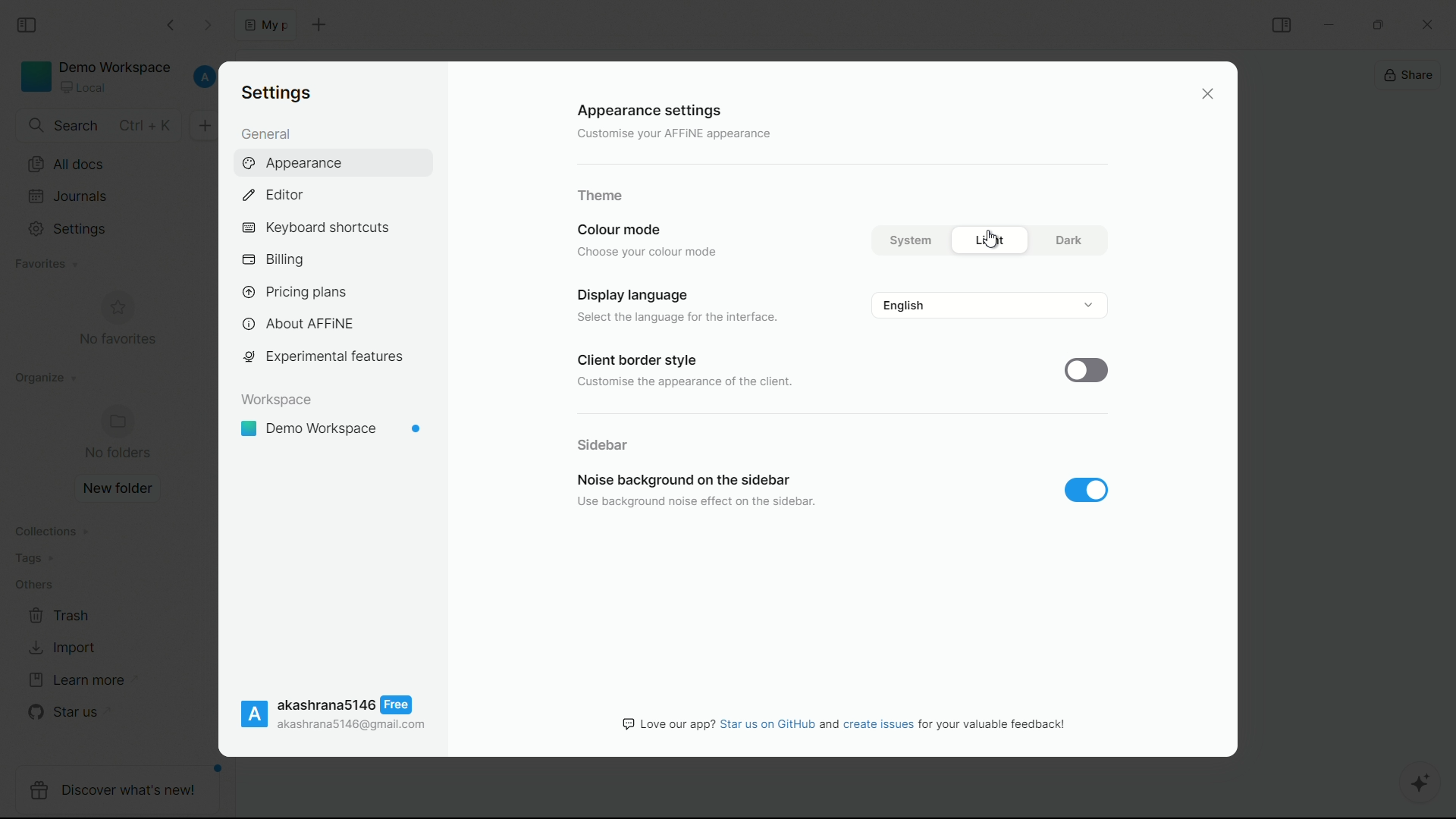 The image size is (1456, 819). What do you see at coordinates (1328, 24) in the screenshot?
I see `minimize` at bounding box center [1328, 24].